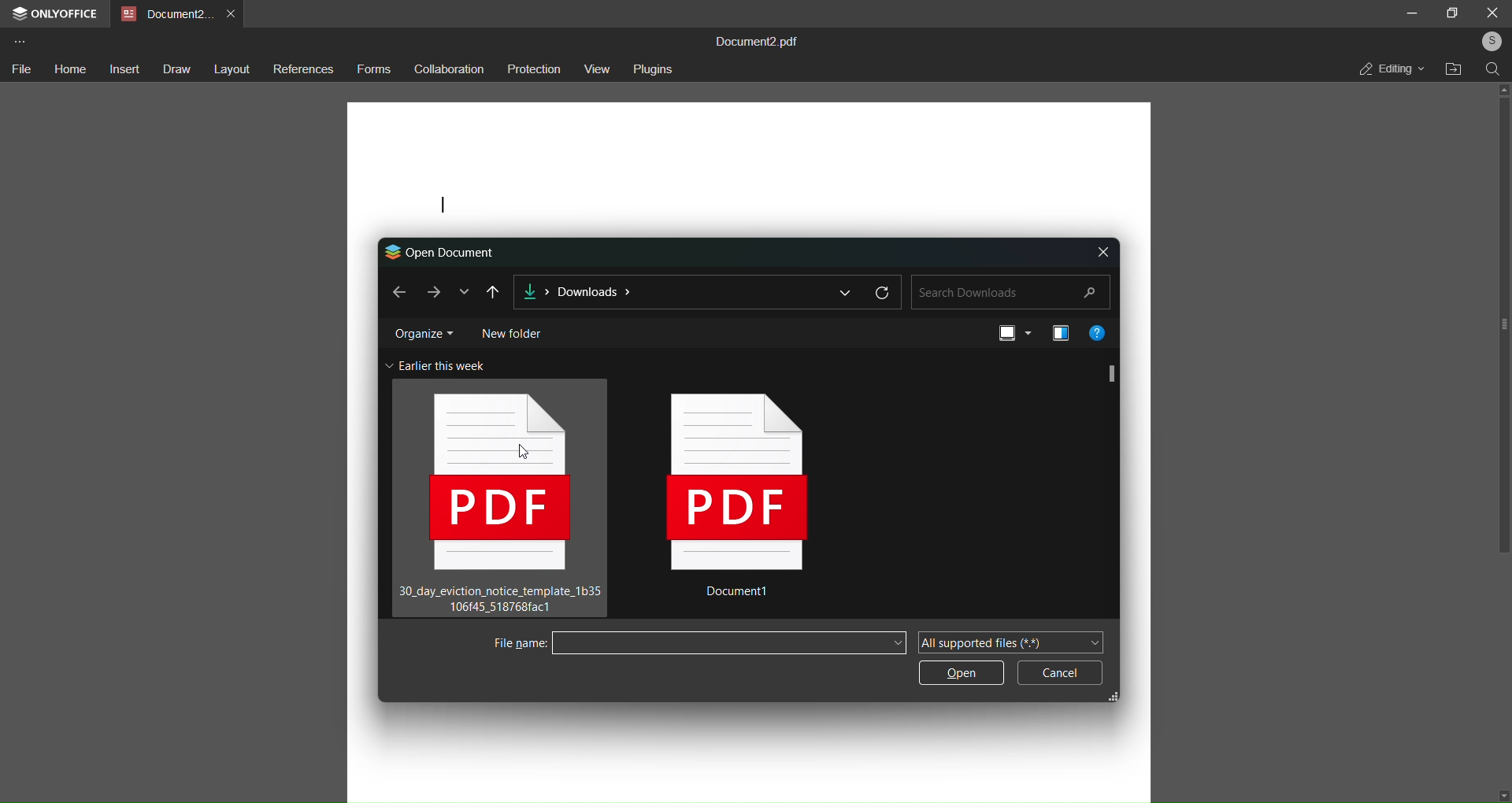 This screenshot has height=803, width=1512. What do you see at coordinates (1488, 41) in the screenshot?
I see `user` at bounding box center [1488, 41].